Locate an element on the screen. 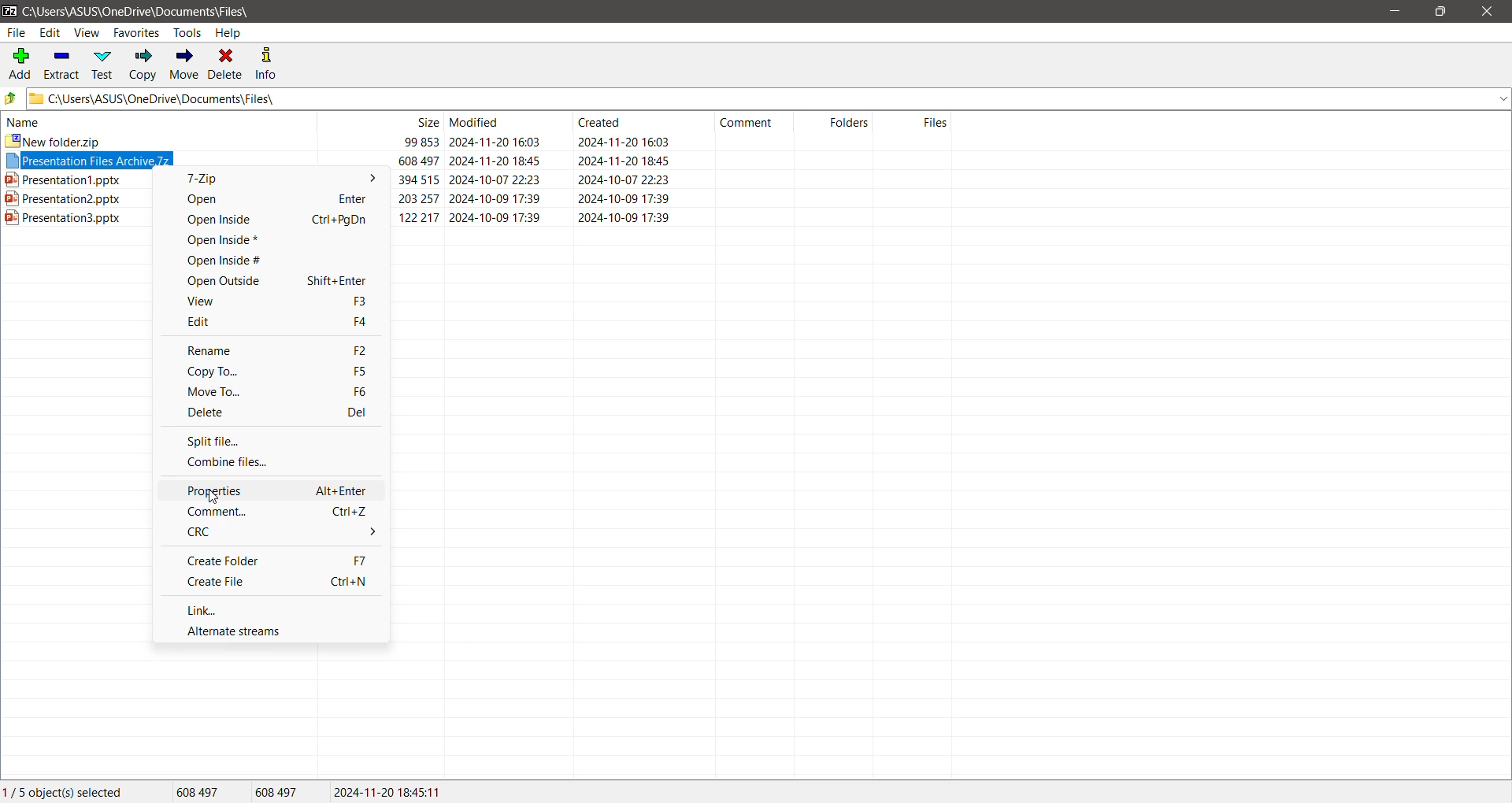  new folder is located at coordinates (474, 141).